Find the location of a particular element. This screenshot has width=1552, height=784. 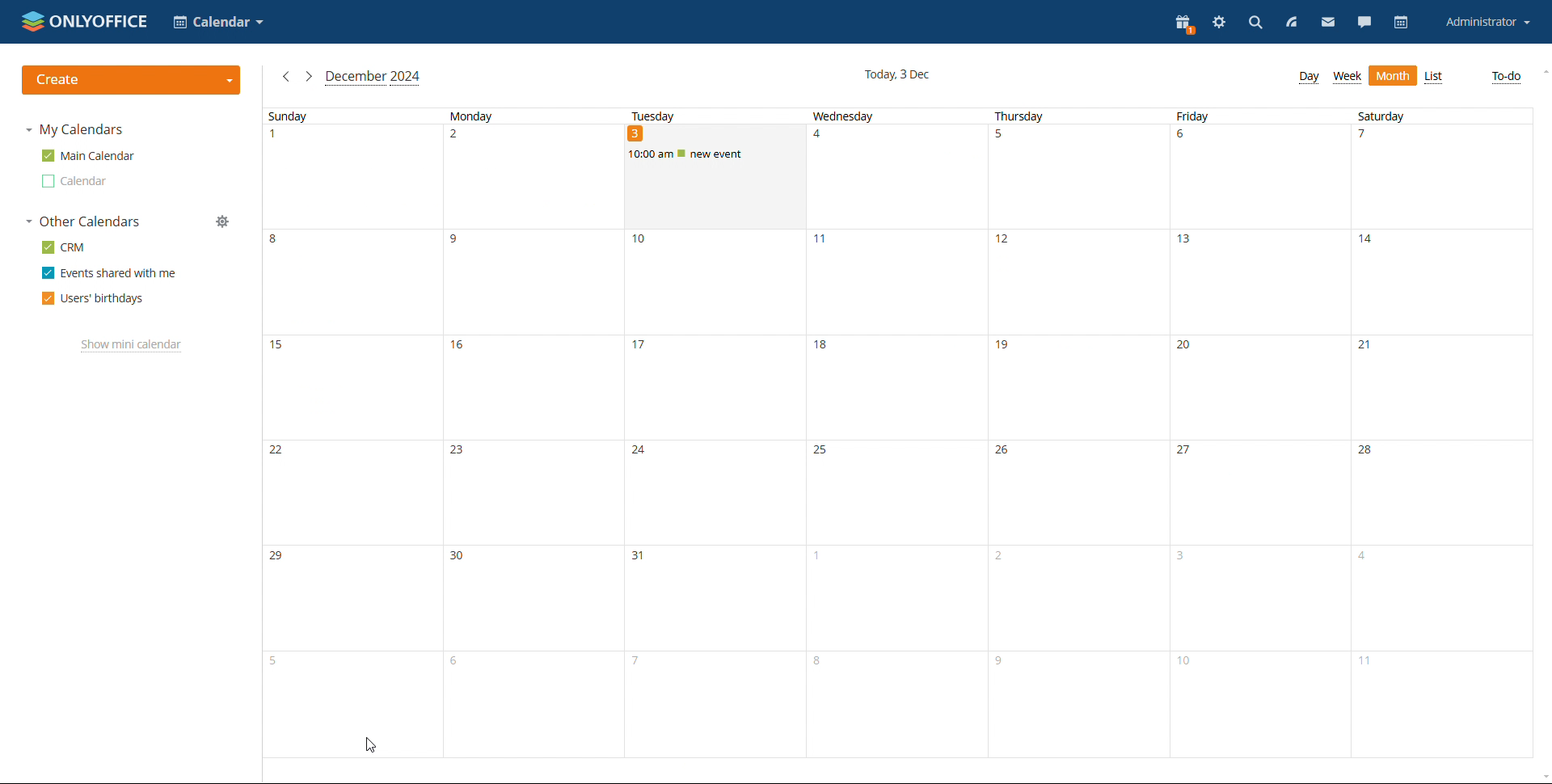

list view is located at coordinates (1433, 78).